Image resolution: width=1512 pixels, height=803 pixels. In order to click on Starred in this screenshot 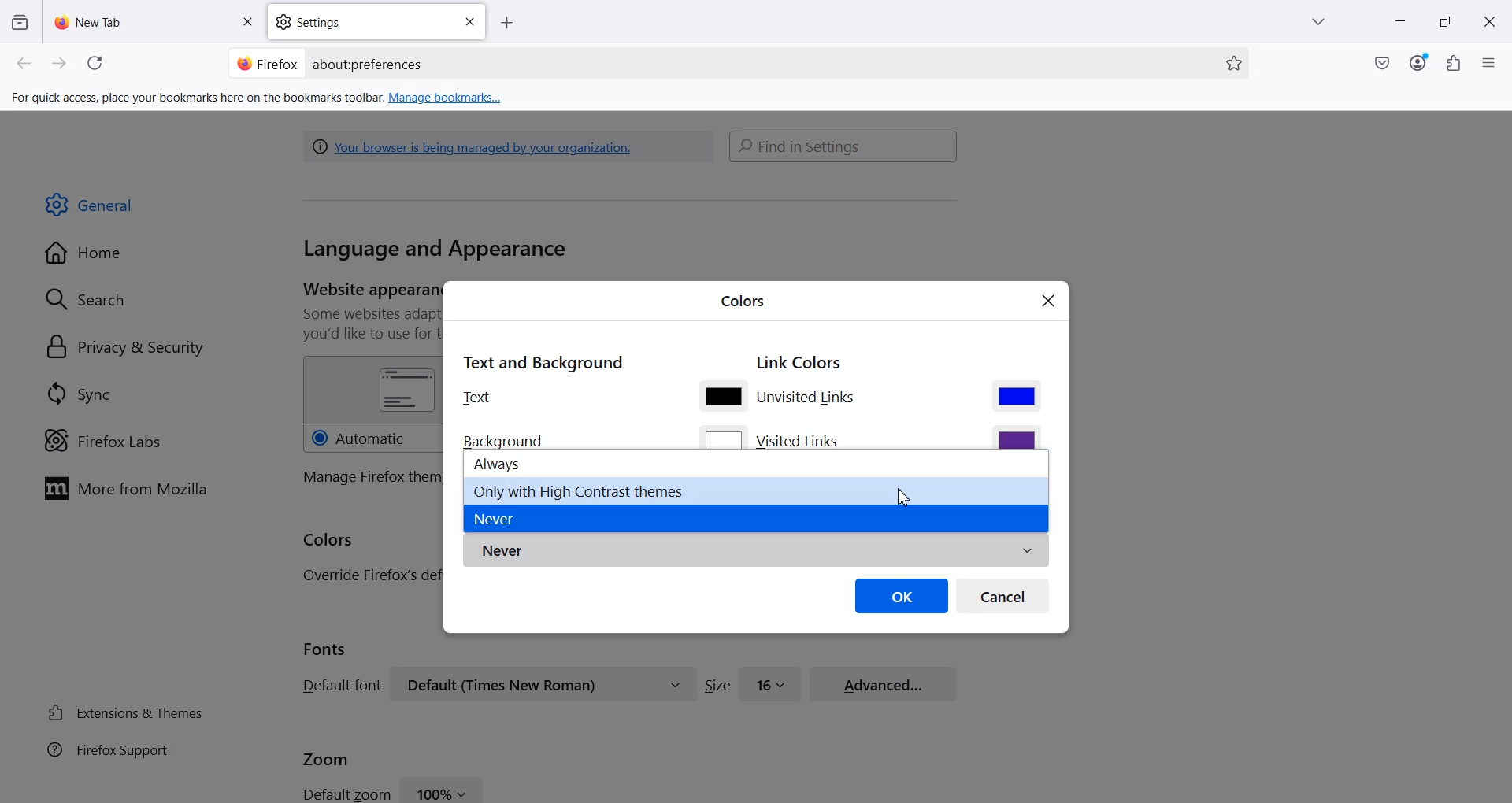, I will do `click(1234, 64)`.